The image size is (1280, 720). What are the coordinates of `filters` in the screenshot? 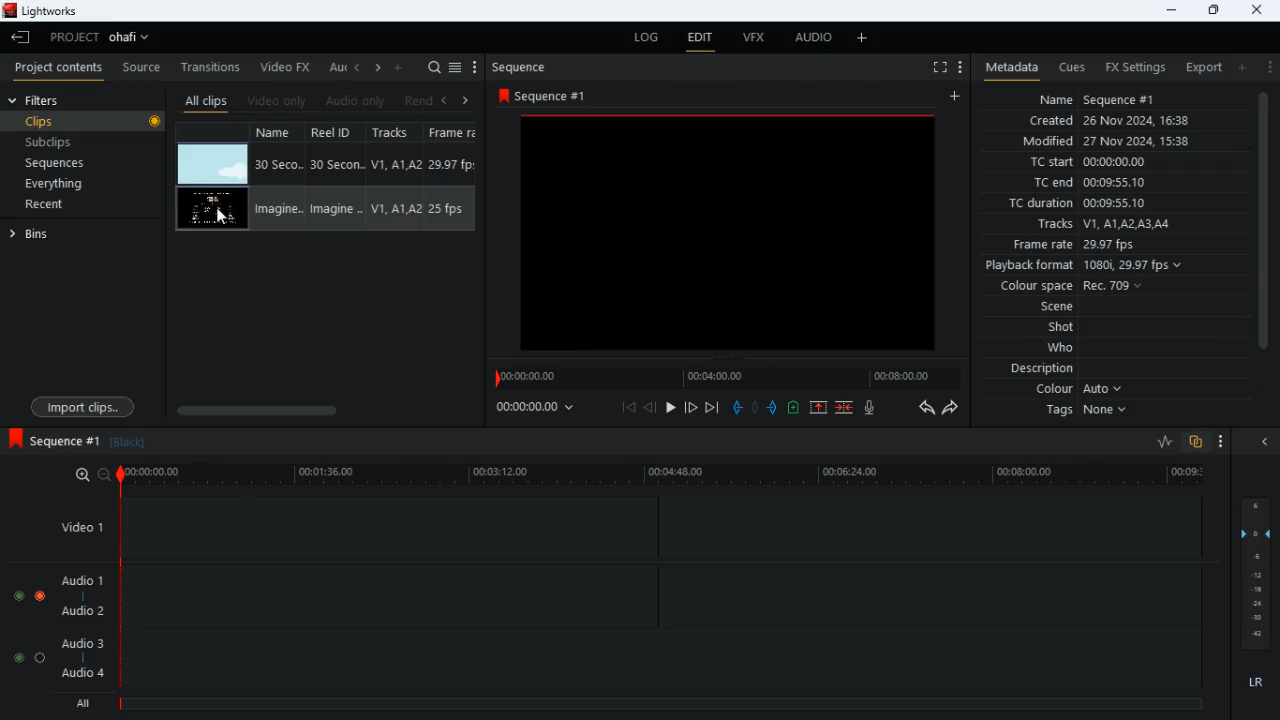 It's located at (51, 99).